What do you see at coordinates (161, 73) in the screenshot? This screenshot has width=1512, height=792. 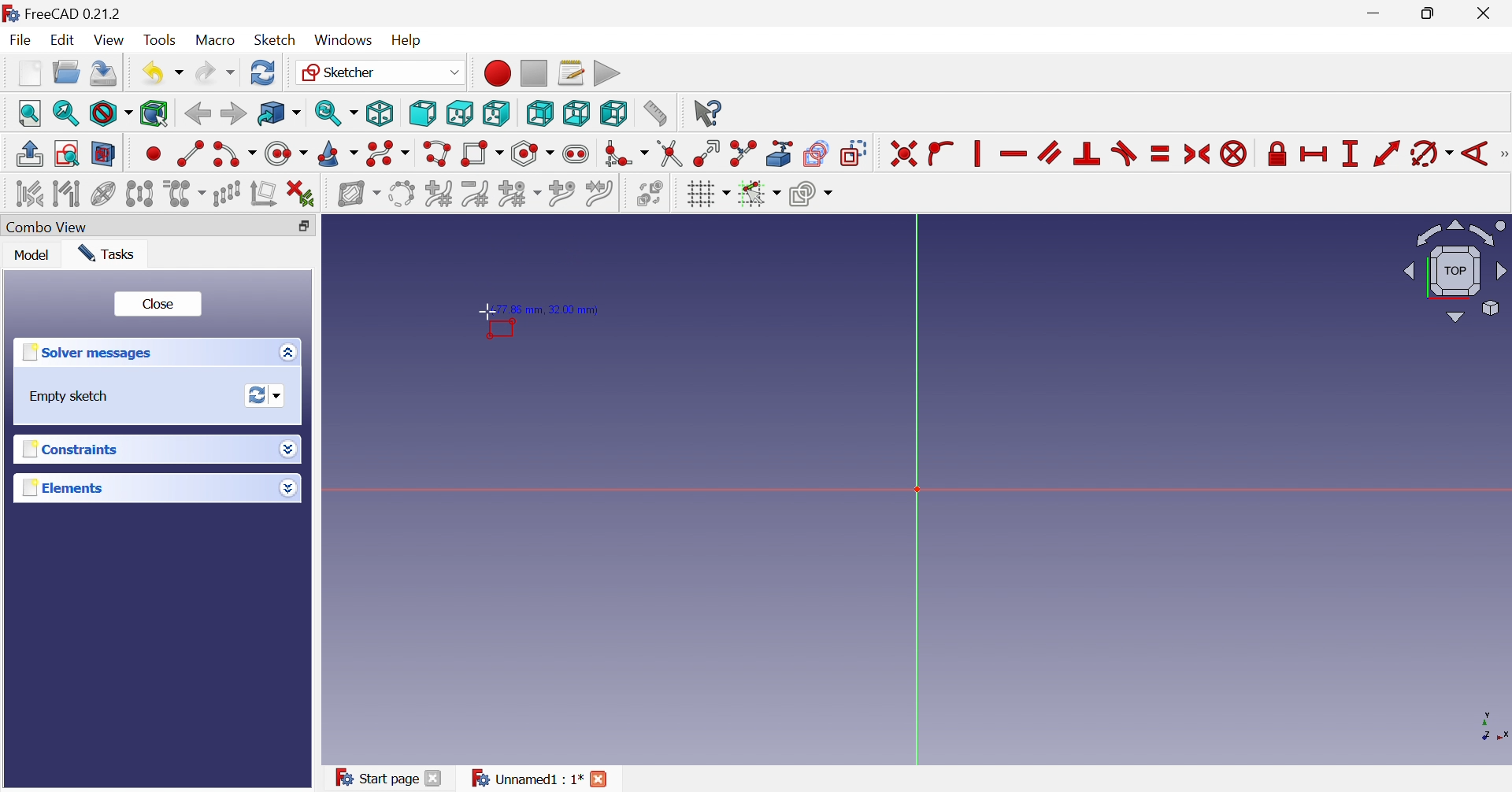 I see `Undo` at bounding box center [161, 73].